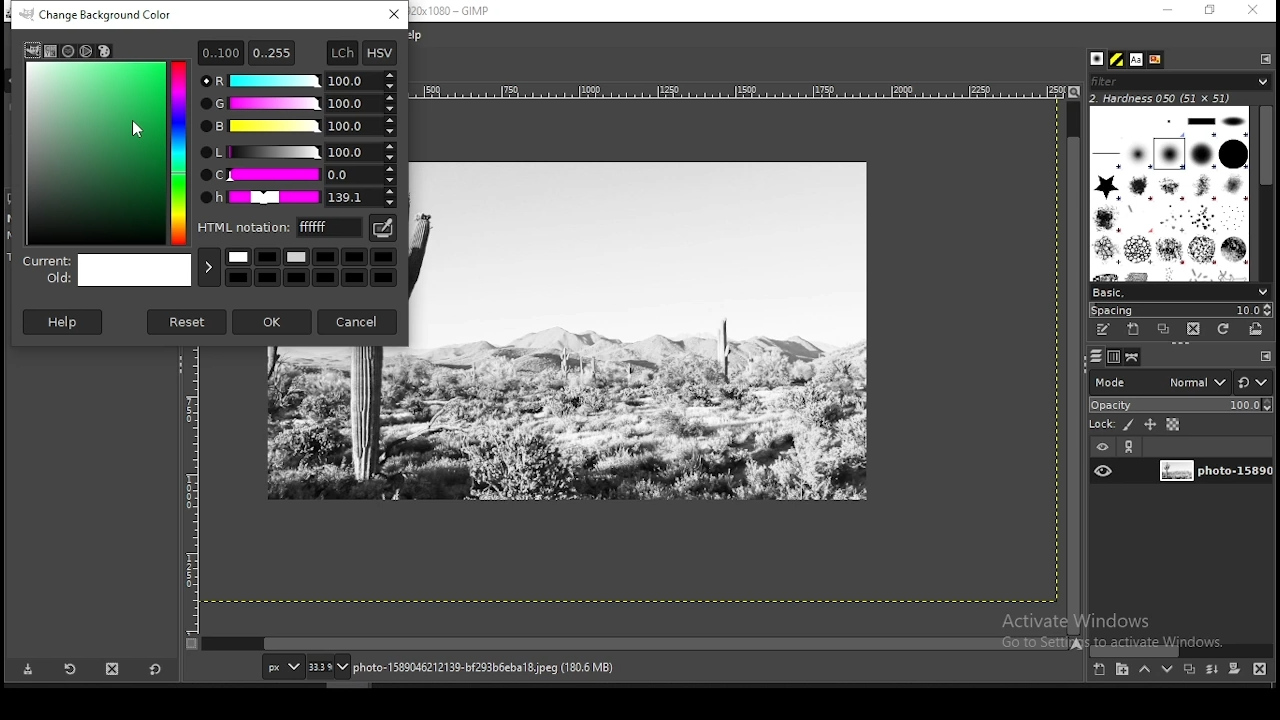 The image size is (1280, 720). Describe the element at coordinates (1096, 357) in the screenshot. I see `layers` at that location.